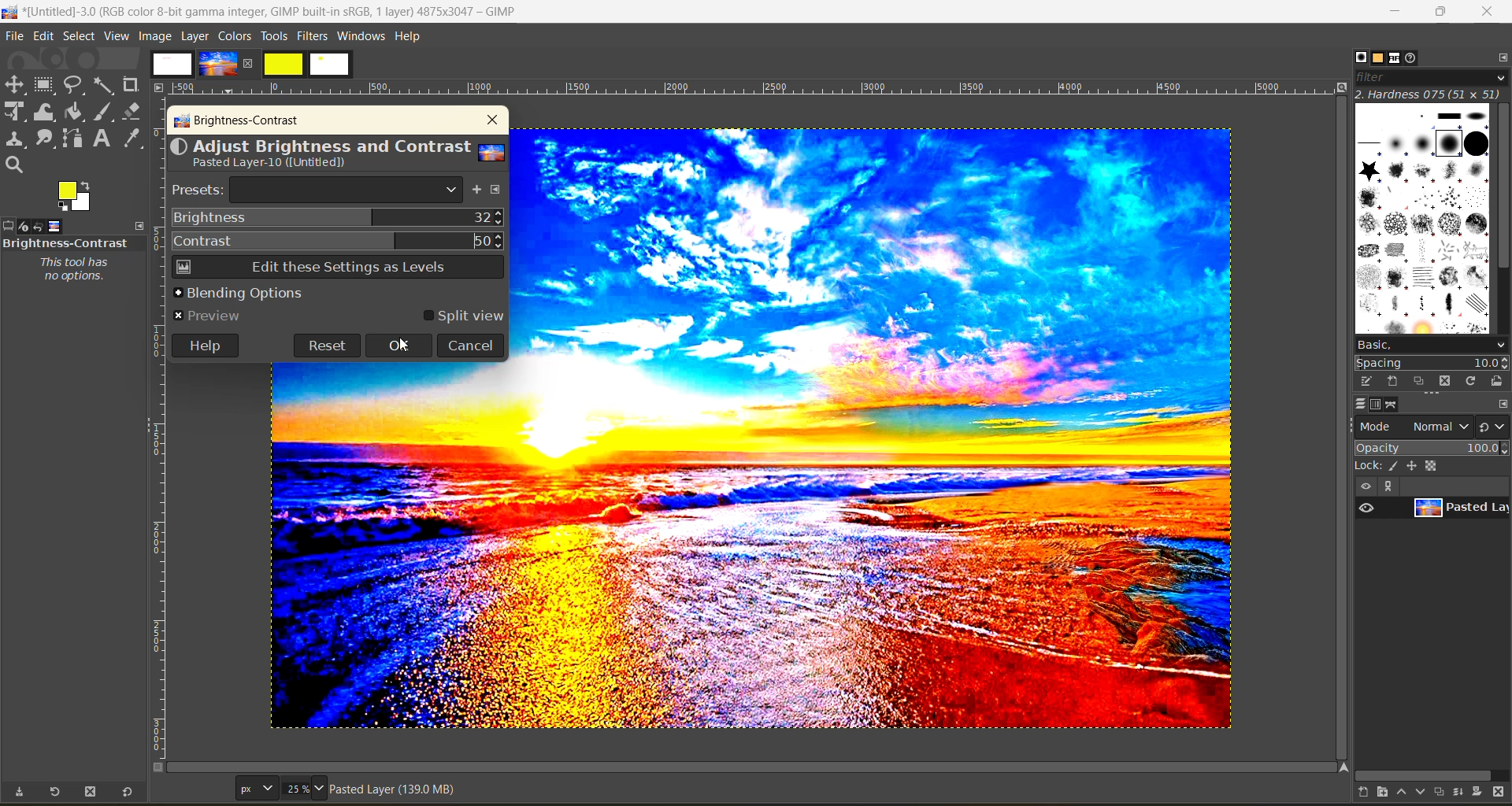 This screenshot has height=806, width=1512. I want to click on This tool has no options, so click(72, 270).